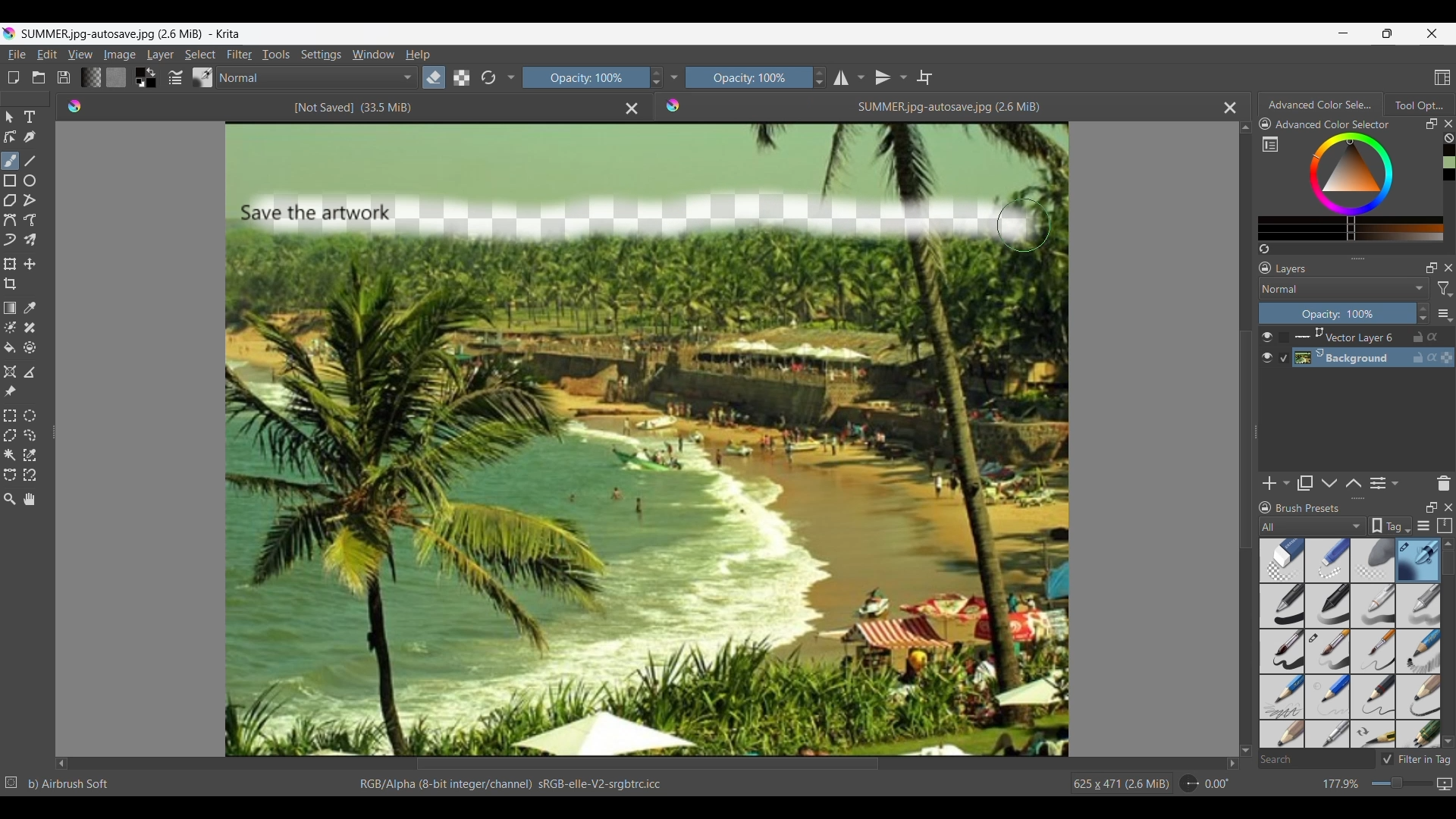  I want to click on Background, so click(1376, 358).